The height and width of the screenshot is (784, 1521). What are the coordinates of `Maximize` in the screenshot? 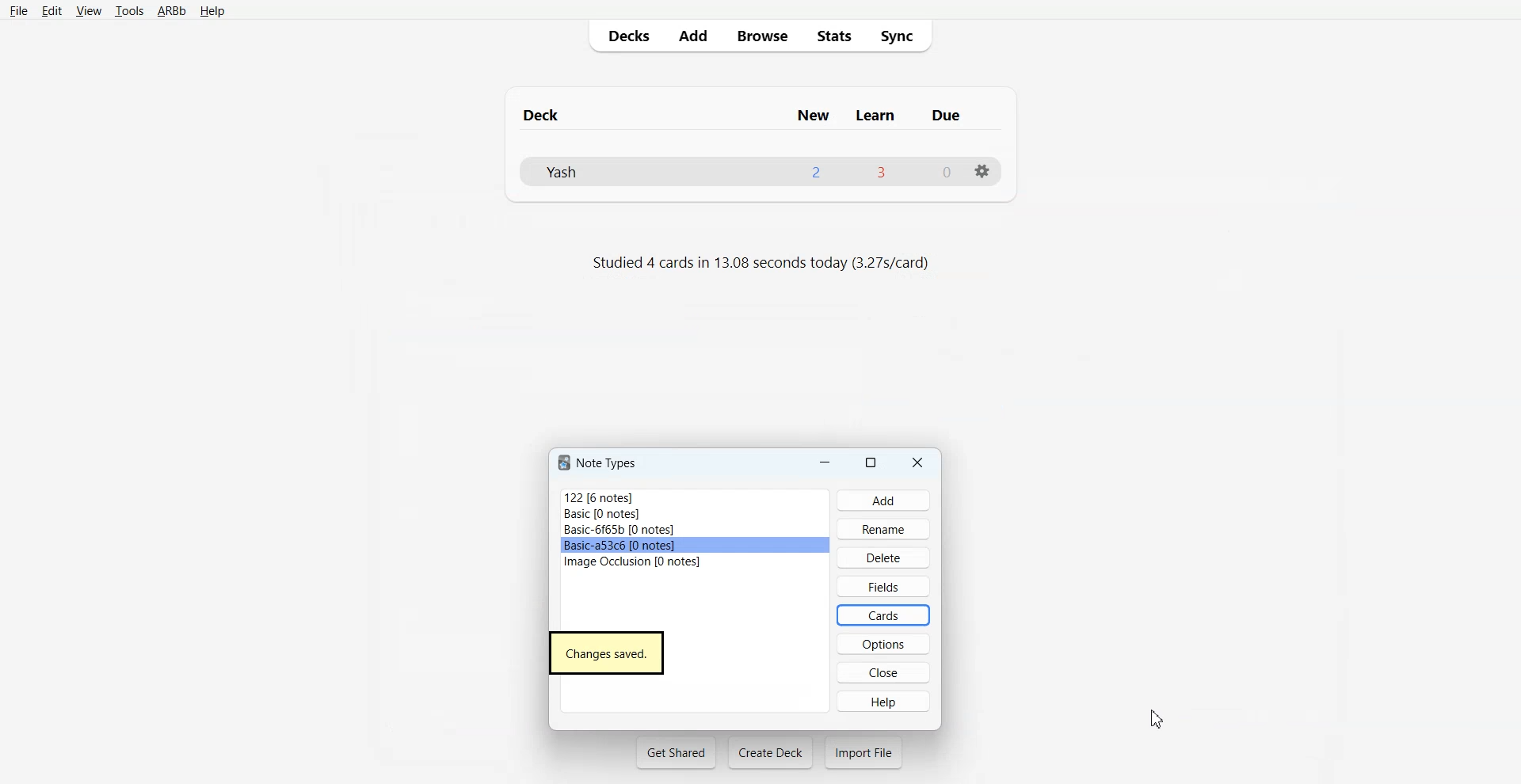 It's located at (873, 462).